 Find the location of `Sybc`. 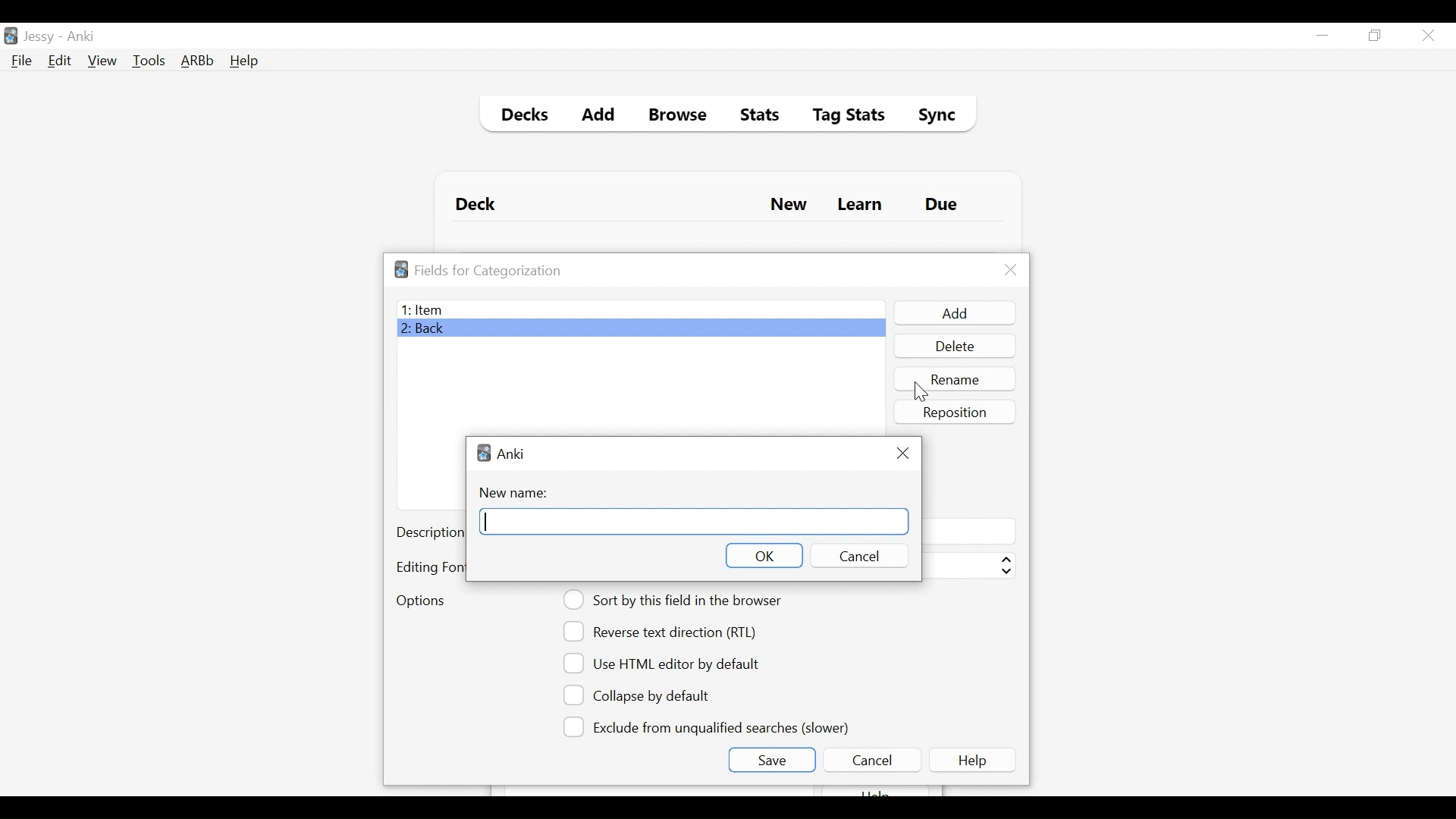

Sybc is located at coordinates (931, 117).